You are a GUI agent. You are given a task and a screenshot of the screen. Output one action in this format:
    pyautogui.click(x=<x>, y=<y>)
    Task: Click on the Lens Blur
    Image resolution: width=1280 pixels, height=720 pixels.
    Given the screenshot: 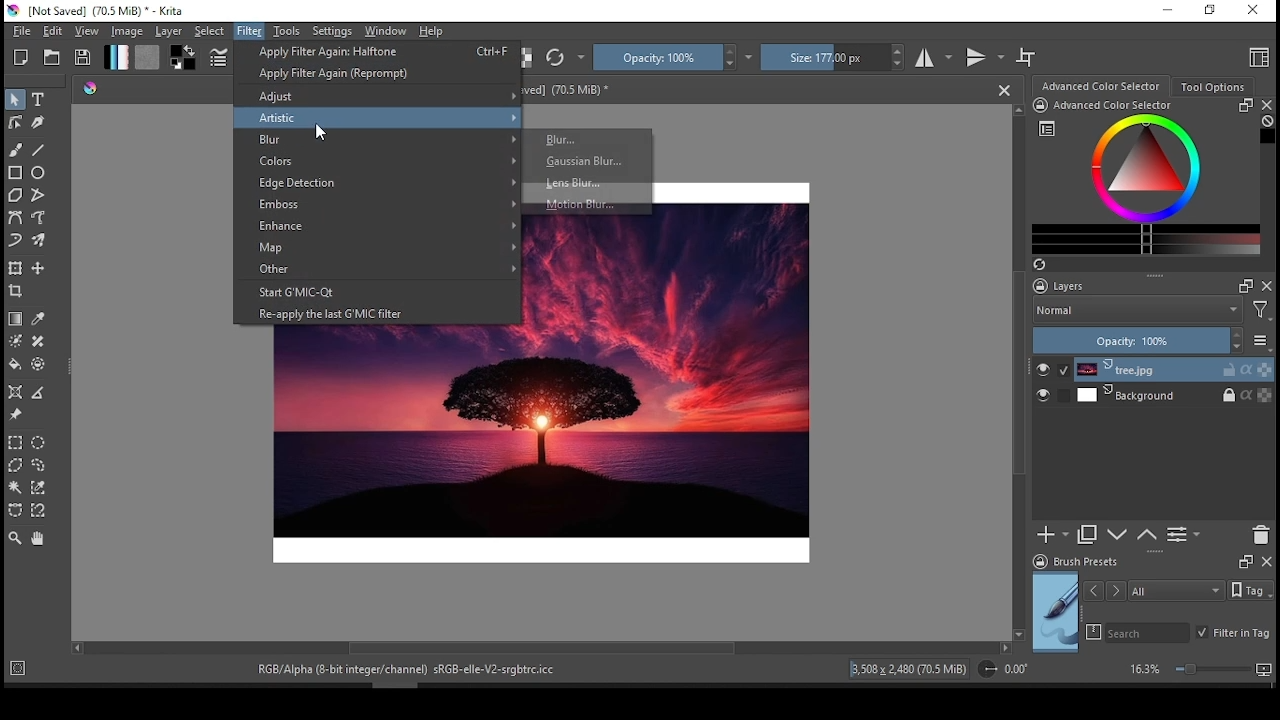 What is the action you would take?
    pyautogui.click(x=571, y=182)
    